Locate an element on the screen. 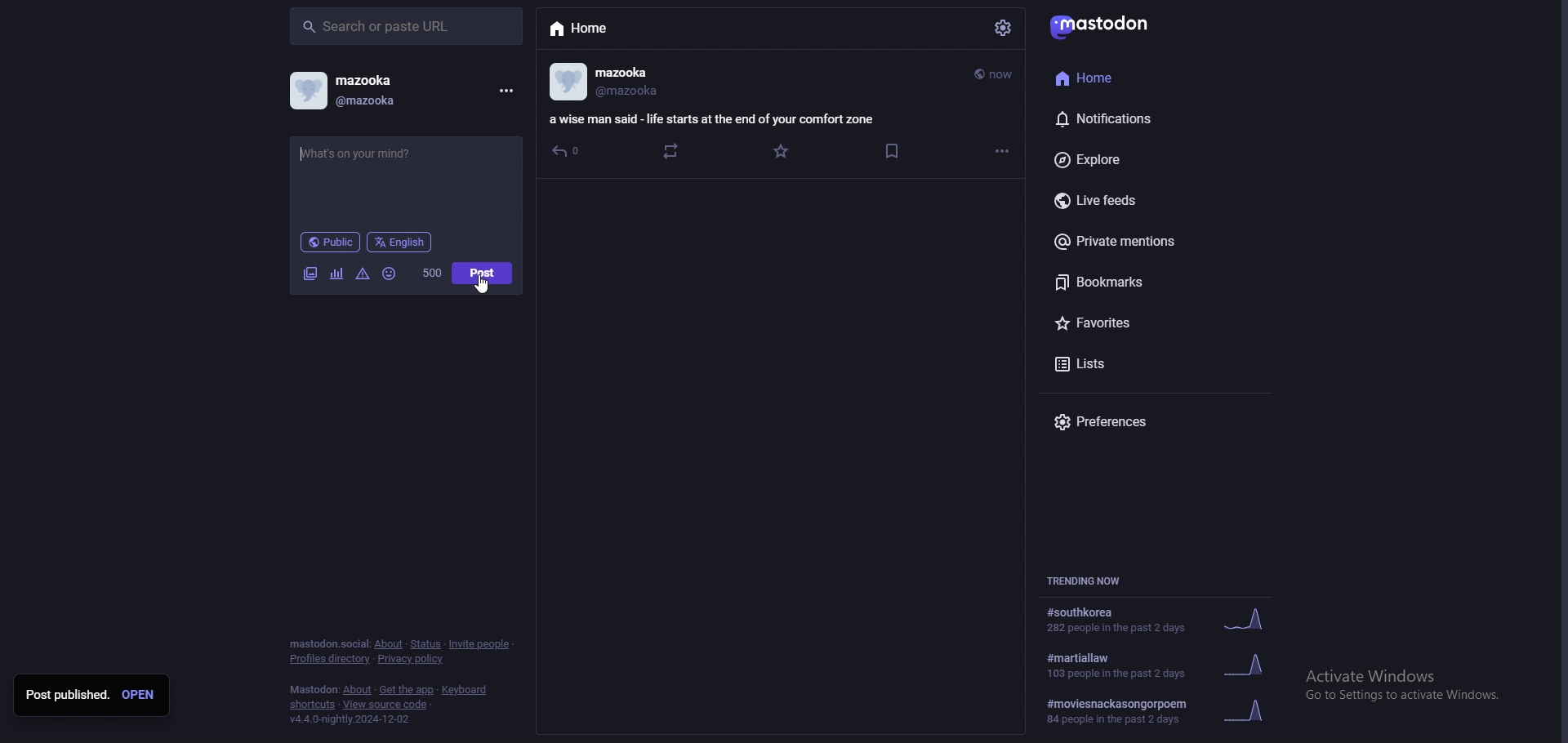  @mazooka is located at coordinates (637, 94).